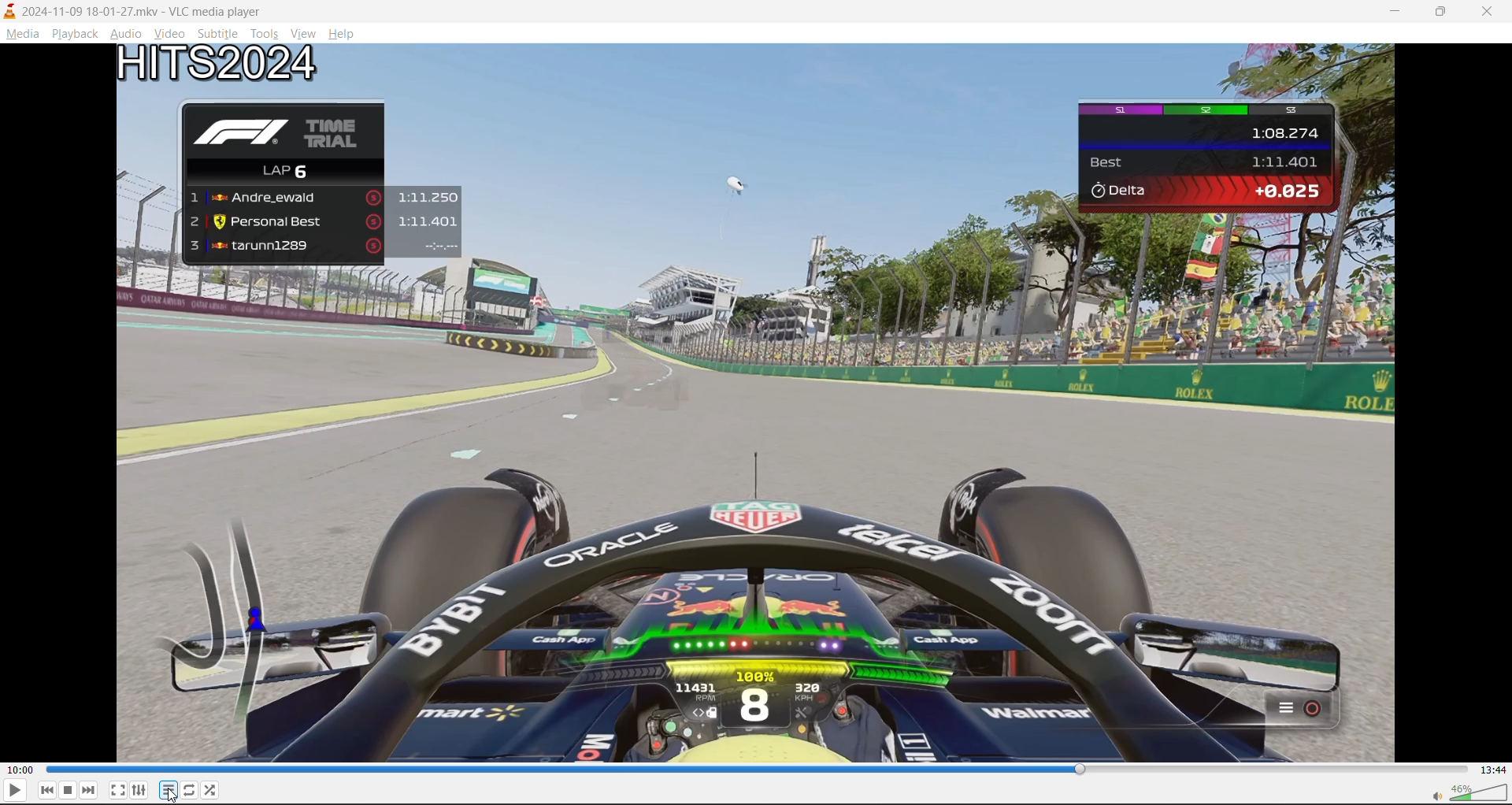 The image size is (1512, 805). I want to click on Cursor, so click(174, 796).